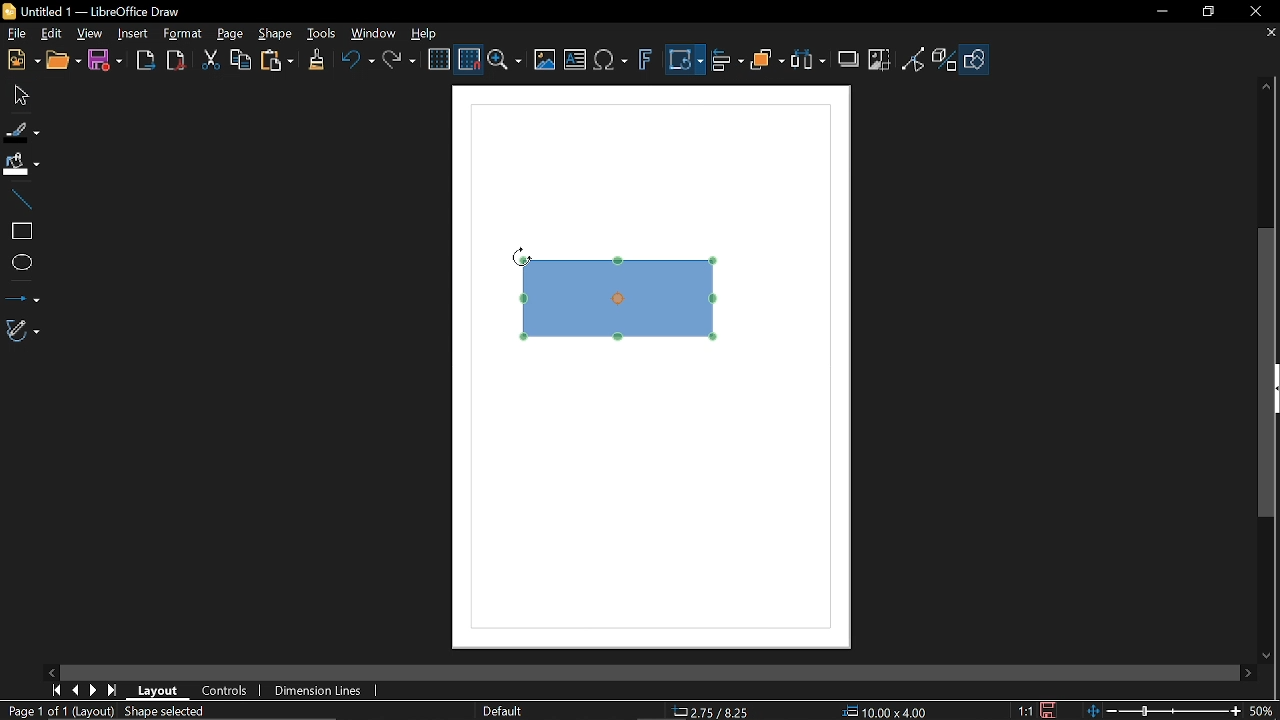 The width and height of the screenshot is (1280, 720). Describe the element at coordinates (504, 710) in the screenshot. I see `slide master name` at that location.